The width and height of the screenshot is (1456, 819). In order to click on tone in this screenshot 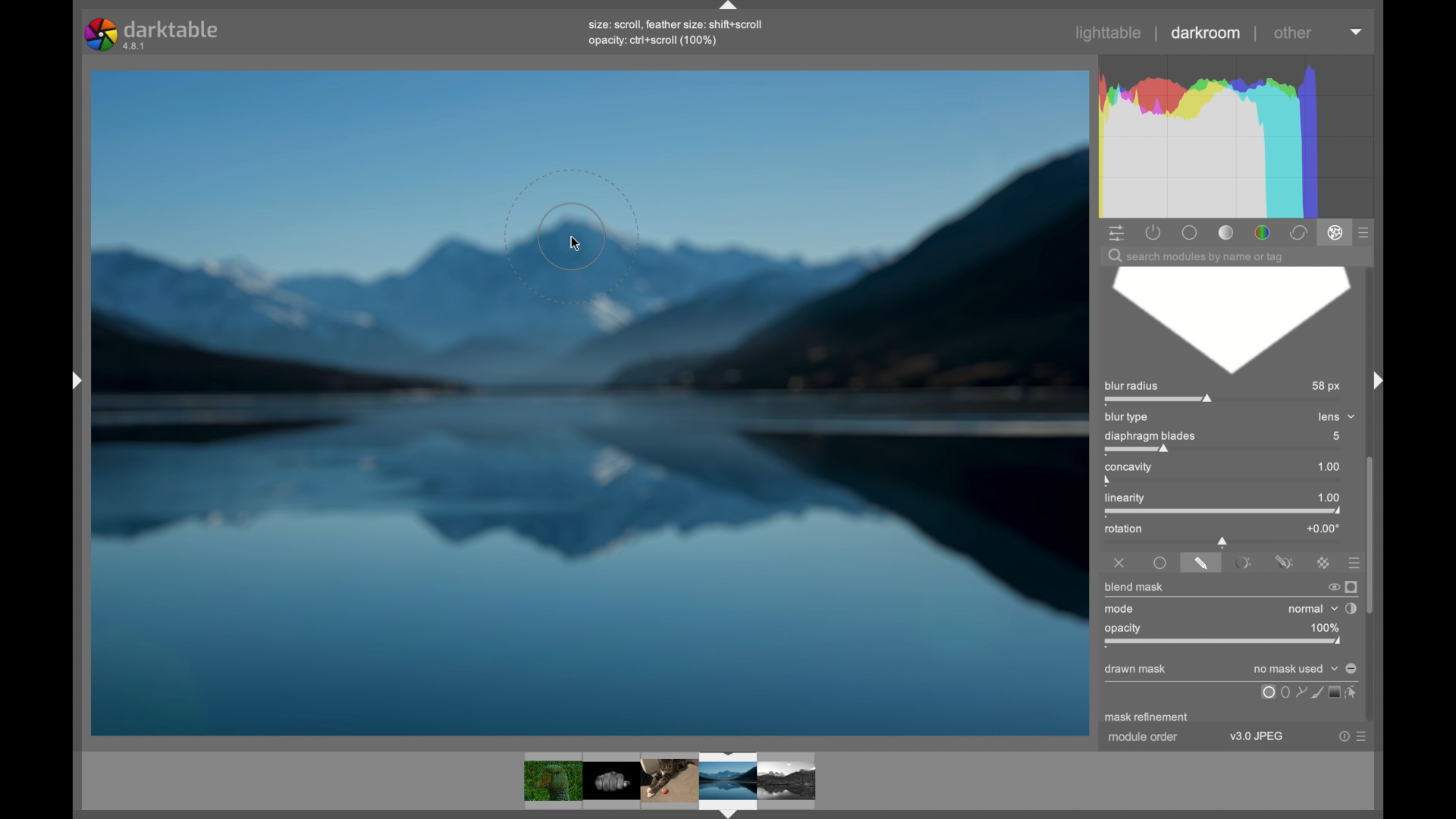, I will do `click(1225, 232)`.